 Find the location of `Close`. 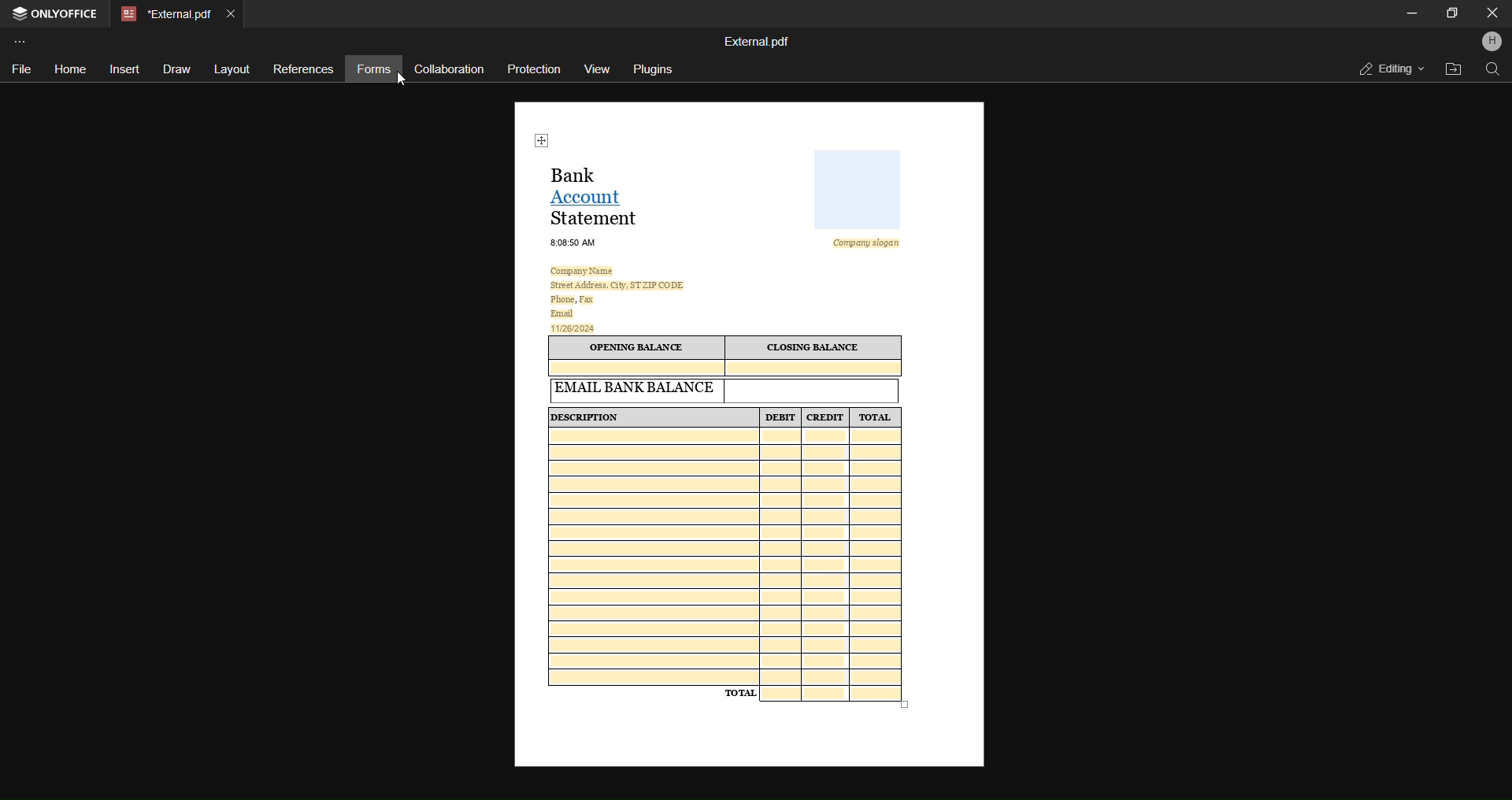

Close is located at coordinates (1491, 14).